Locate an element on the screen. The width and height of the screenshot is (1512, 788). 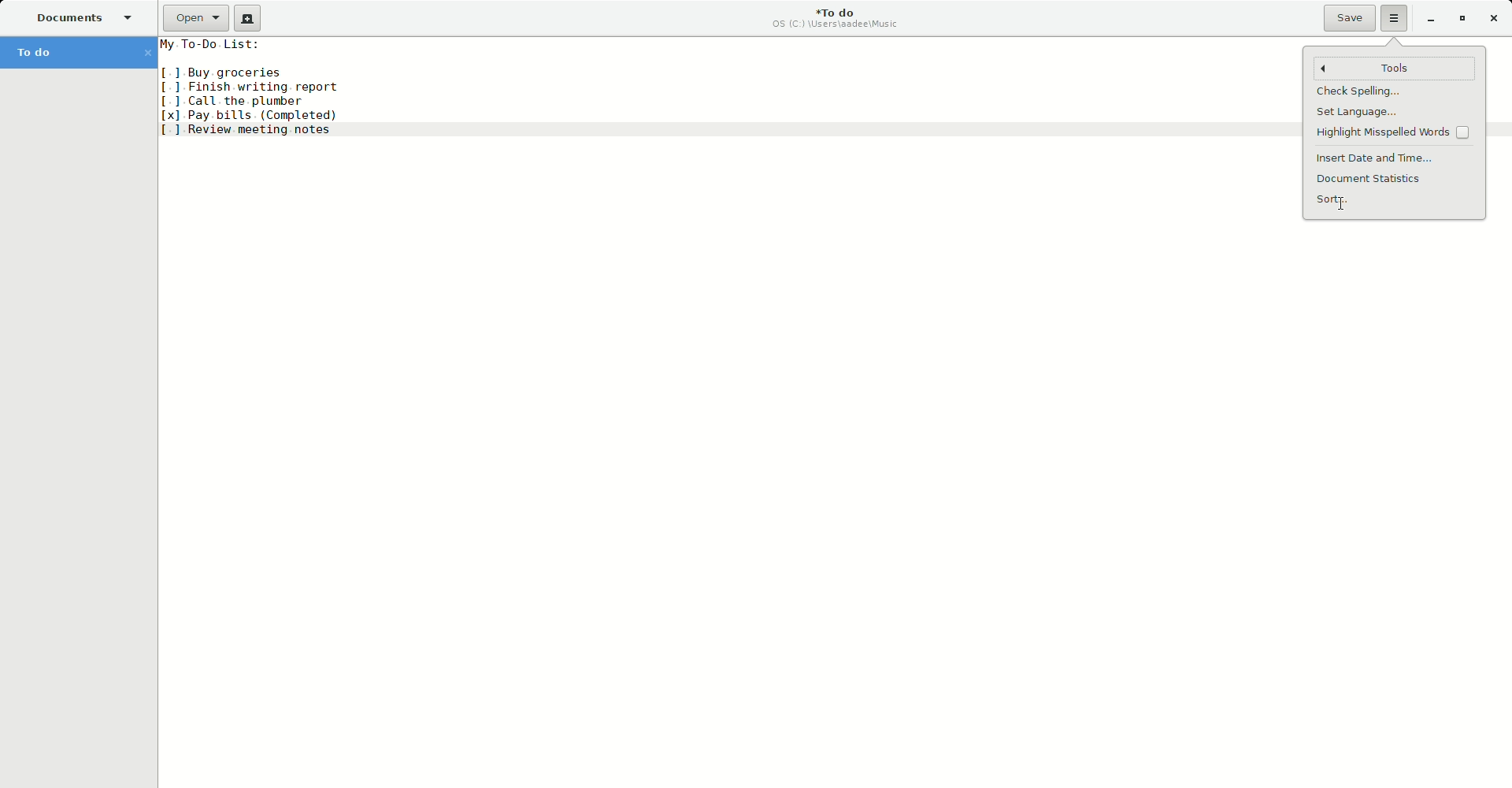
Save is located at coordinates (1351, 19).